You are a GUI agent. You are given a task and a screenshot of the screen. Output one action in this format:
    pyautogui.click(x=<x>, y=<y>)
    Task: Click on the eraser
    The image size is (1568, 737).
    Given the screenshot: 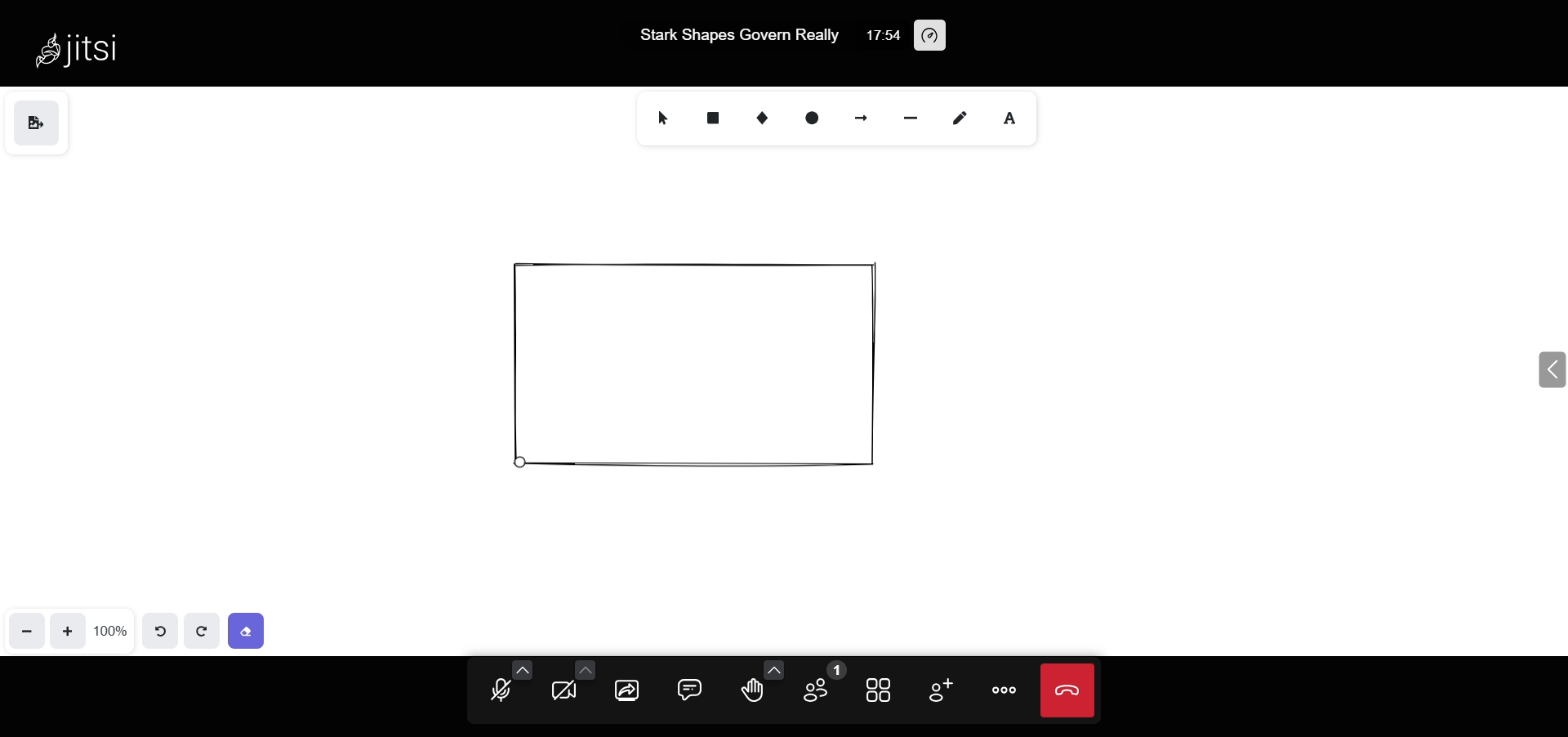 What is the action you would take?
    pyautogui.click(x=250, y=627)
    